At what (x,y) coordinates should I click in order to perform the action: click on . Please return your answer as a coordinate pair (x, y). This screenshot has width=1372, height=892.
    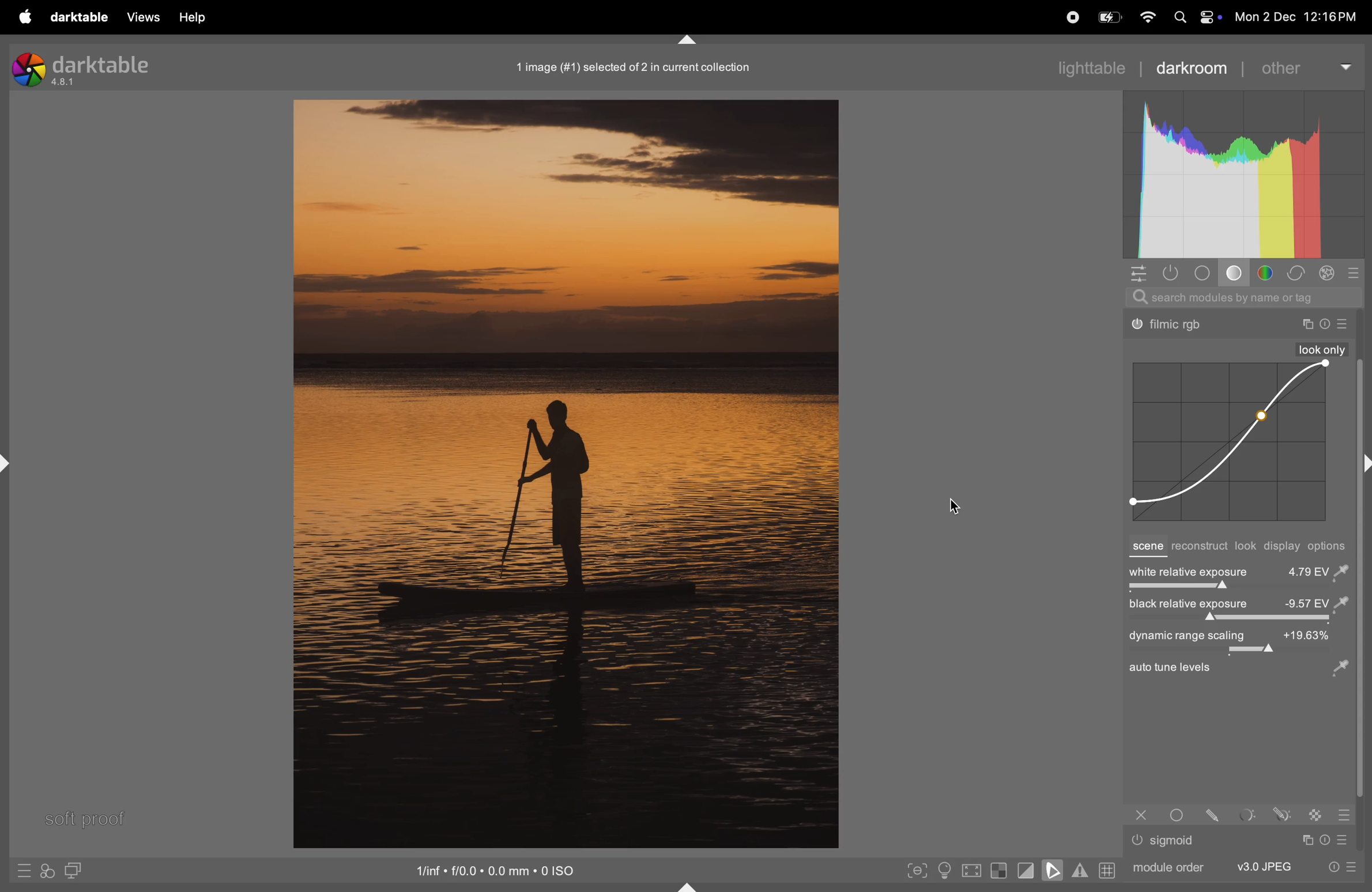
    Looking at the image, I should click on (1327, 840).